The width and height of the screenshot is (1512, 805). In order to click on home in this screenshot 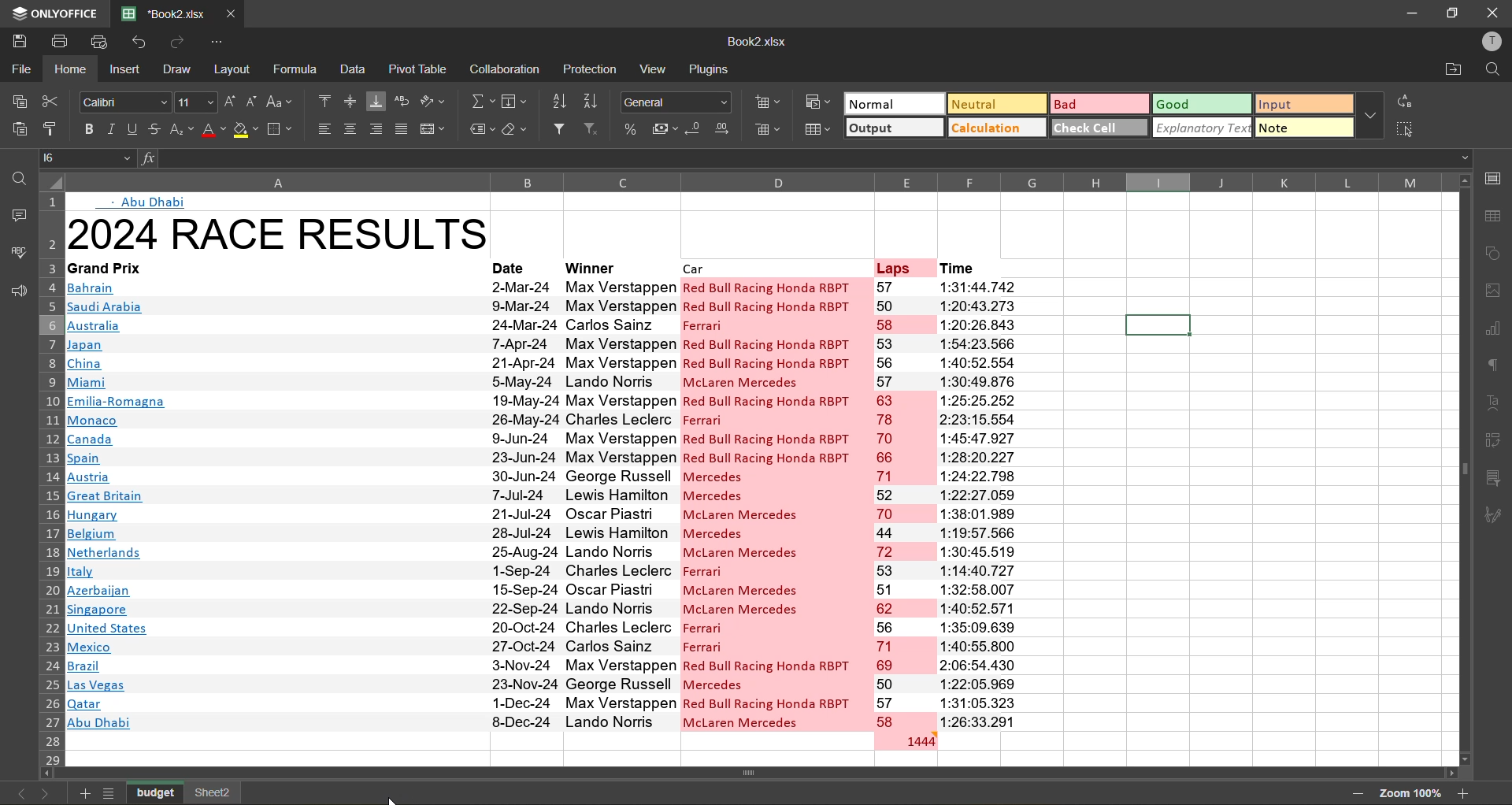, I will do `click(69, 69)`.